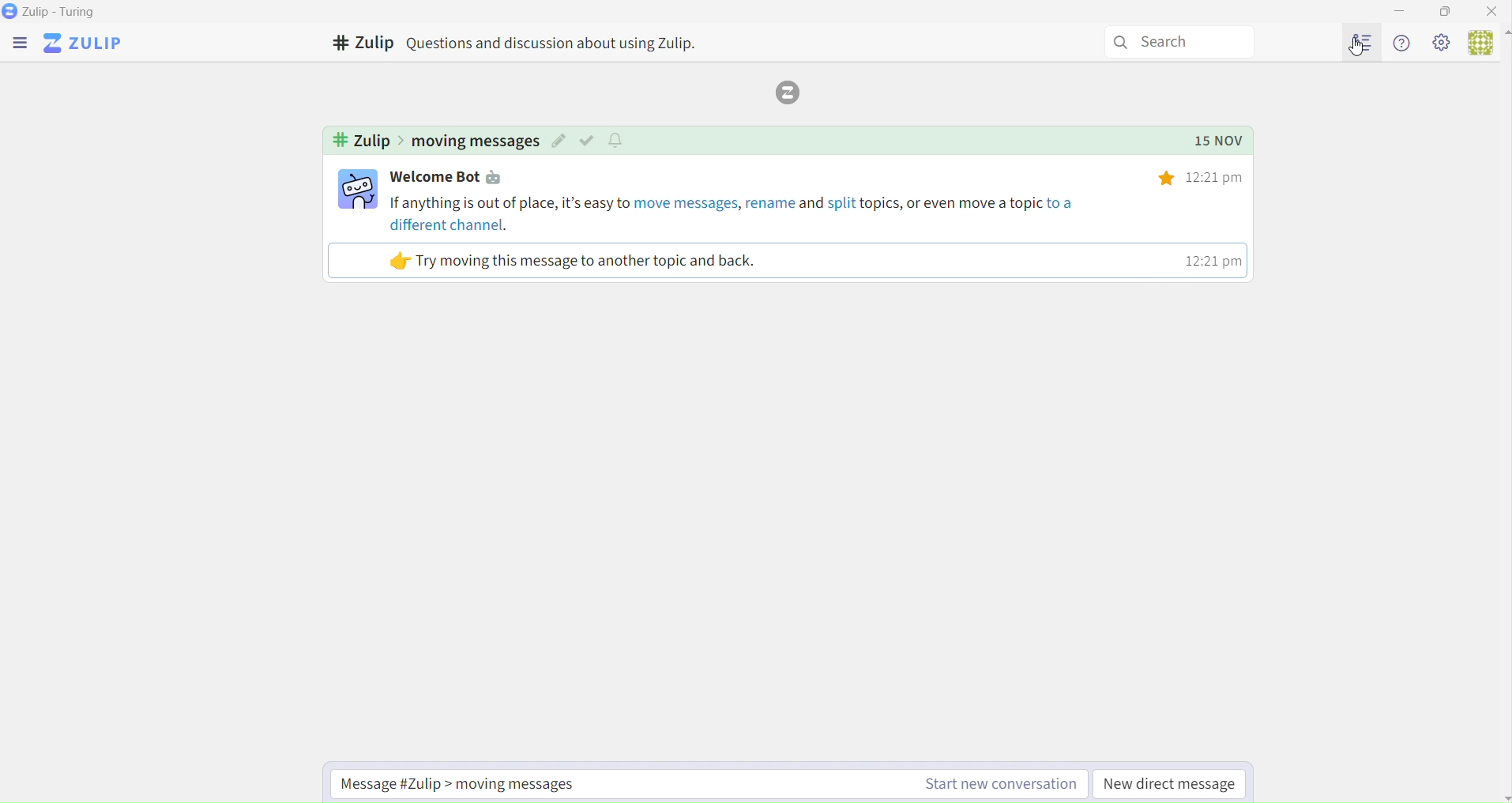  What do you see at coordinates (1400, 43) in the screenshot?
I see `Info` at bounding box center [1400, 43].